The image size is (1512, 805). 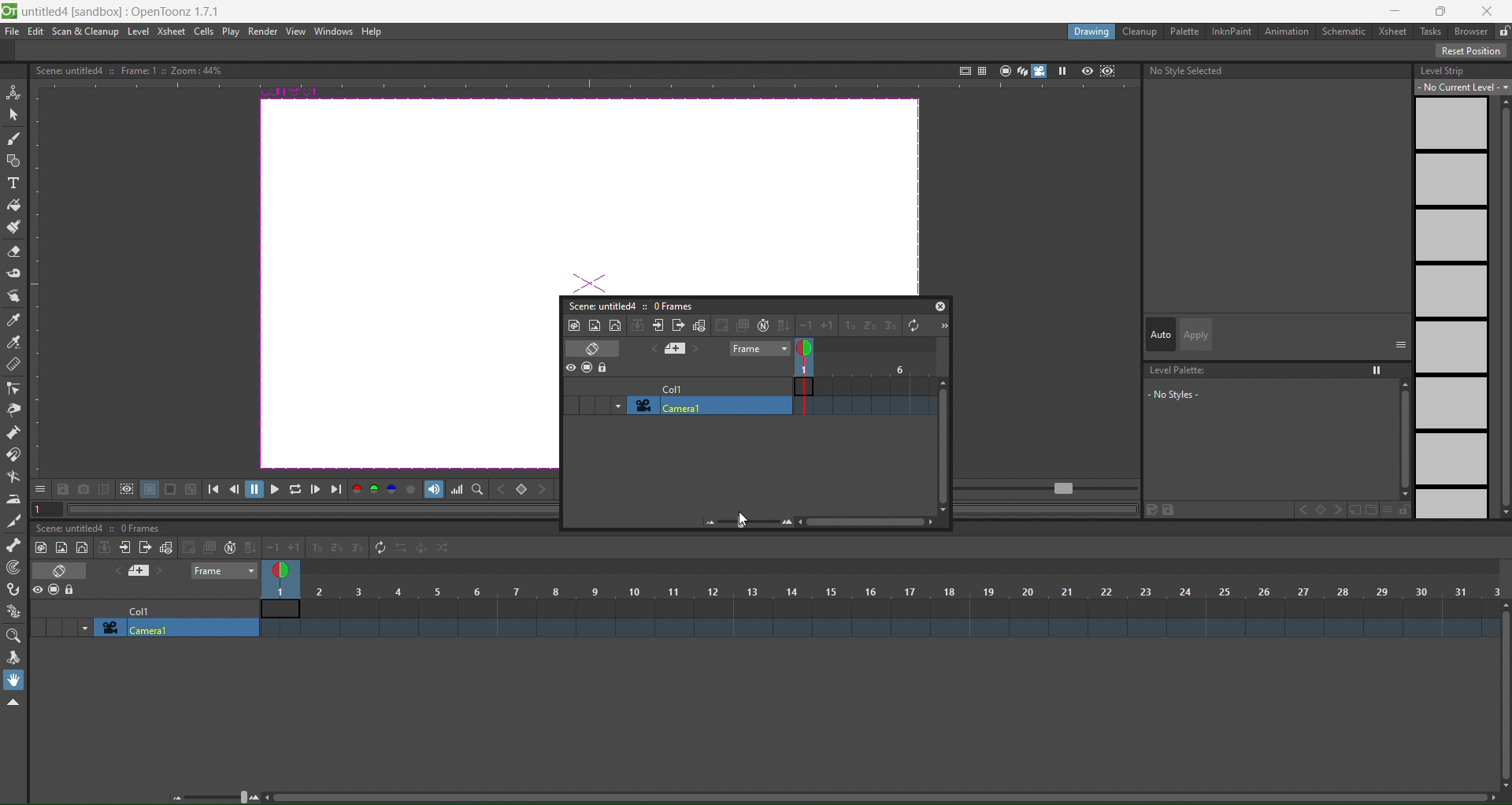 I want to click on locator, so click(x=478, y=490).